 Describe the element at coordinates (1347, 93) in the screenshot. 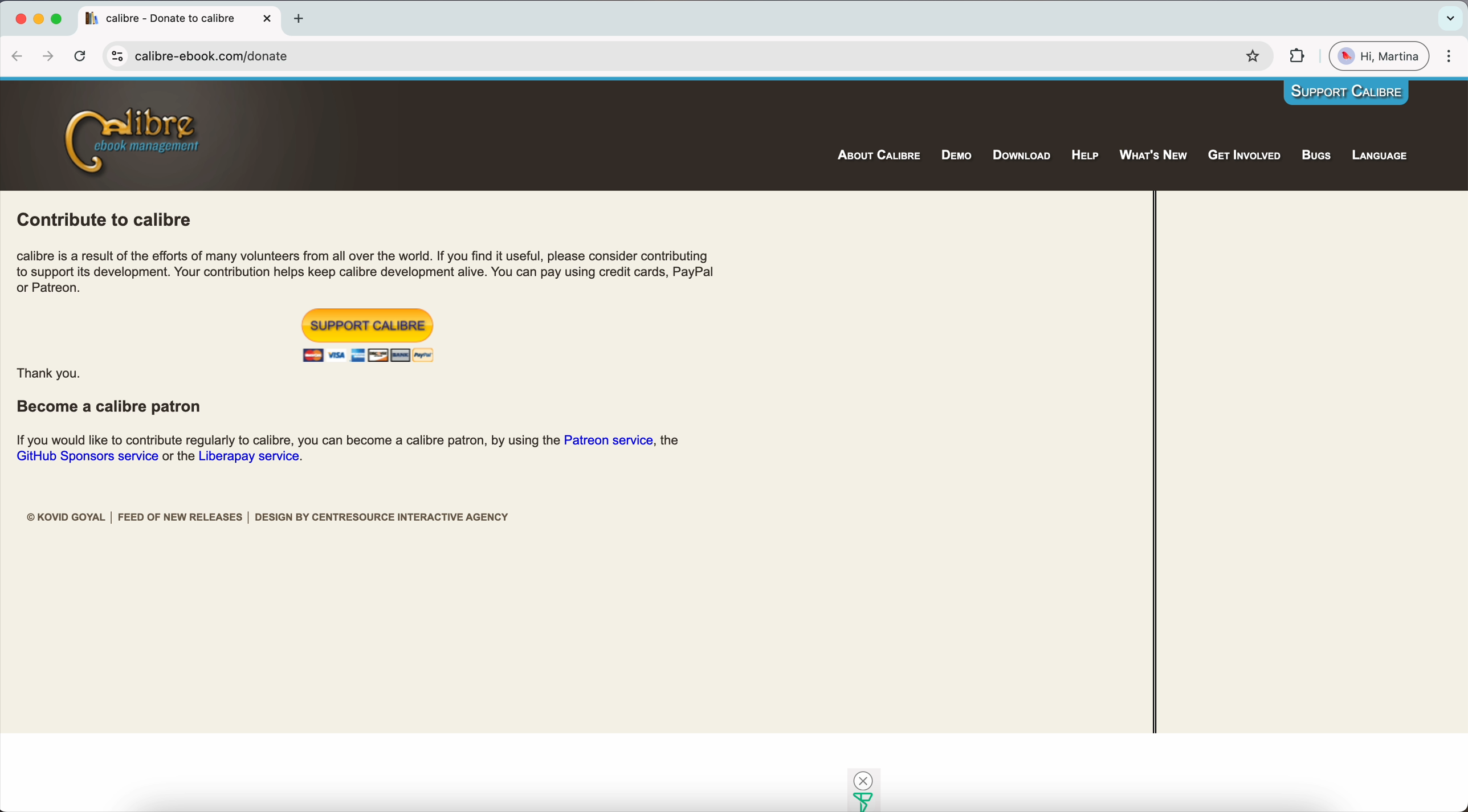

I see `Support Calibre` at that location.